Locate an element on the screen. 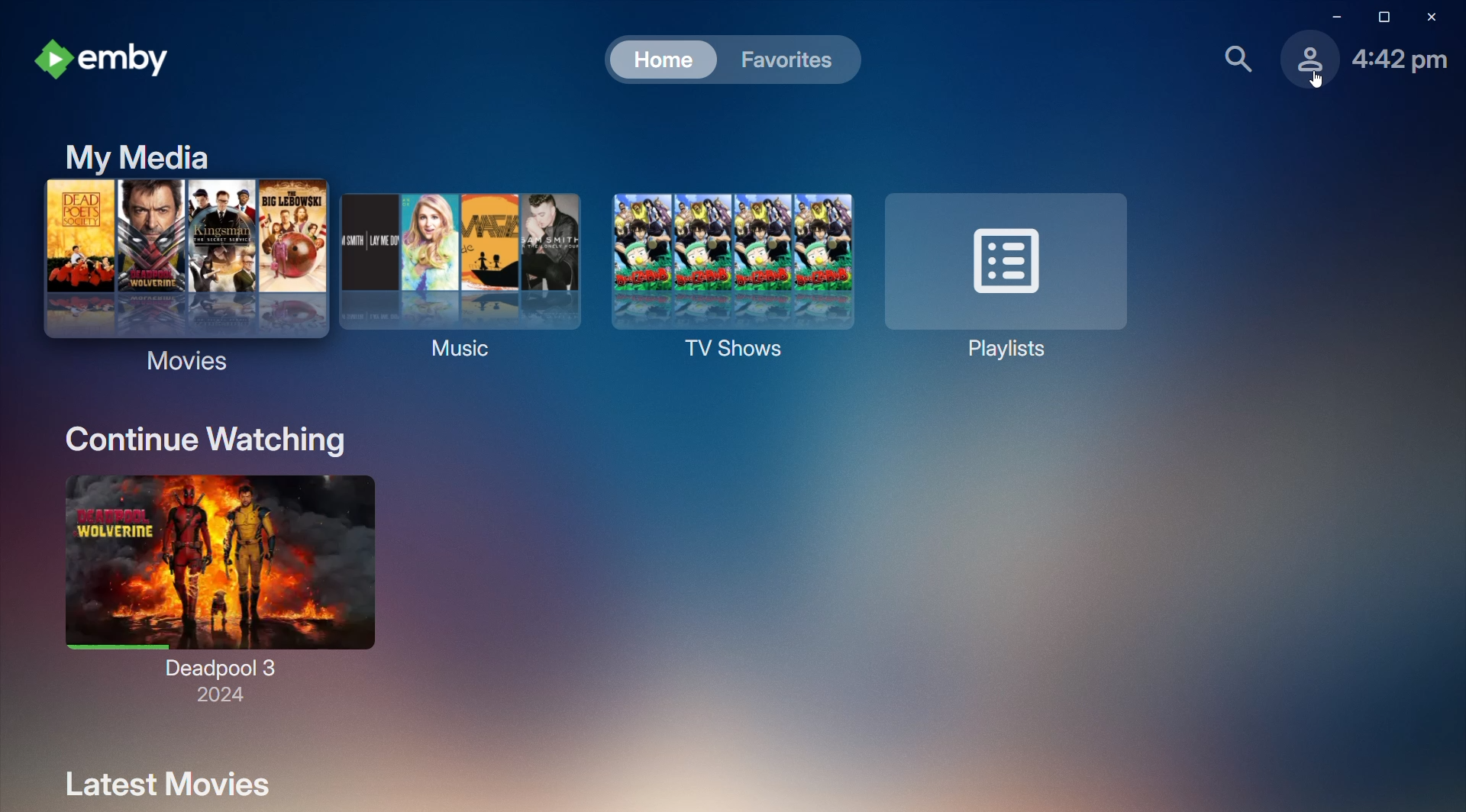 The image size is (1466, 812). Restore is located at coordinates (1379, 18).